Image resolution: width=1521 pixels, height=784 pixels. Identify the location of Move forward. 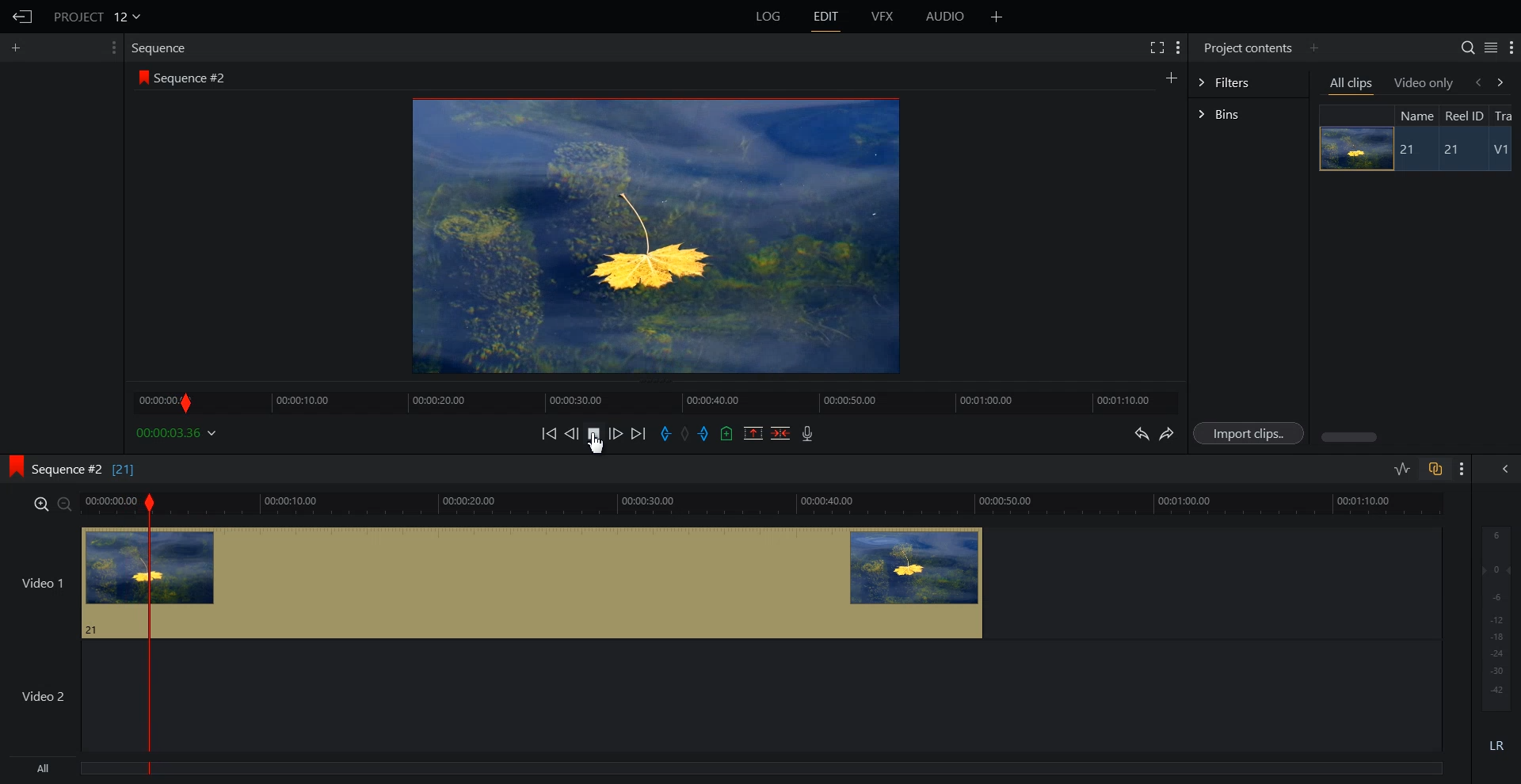
(639, 434).